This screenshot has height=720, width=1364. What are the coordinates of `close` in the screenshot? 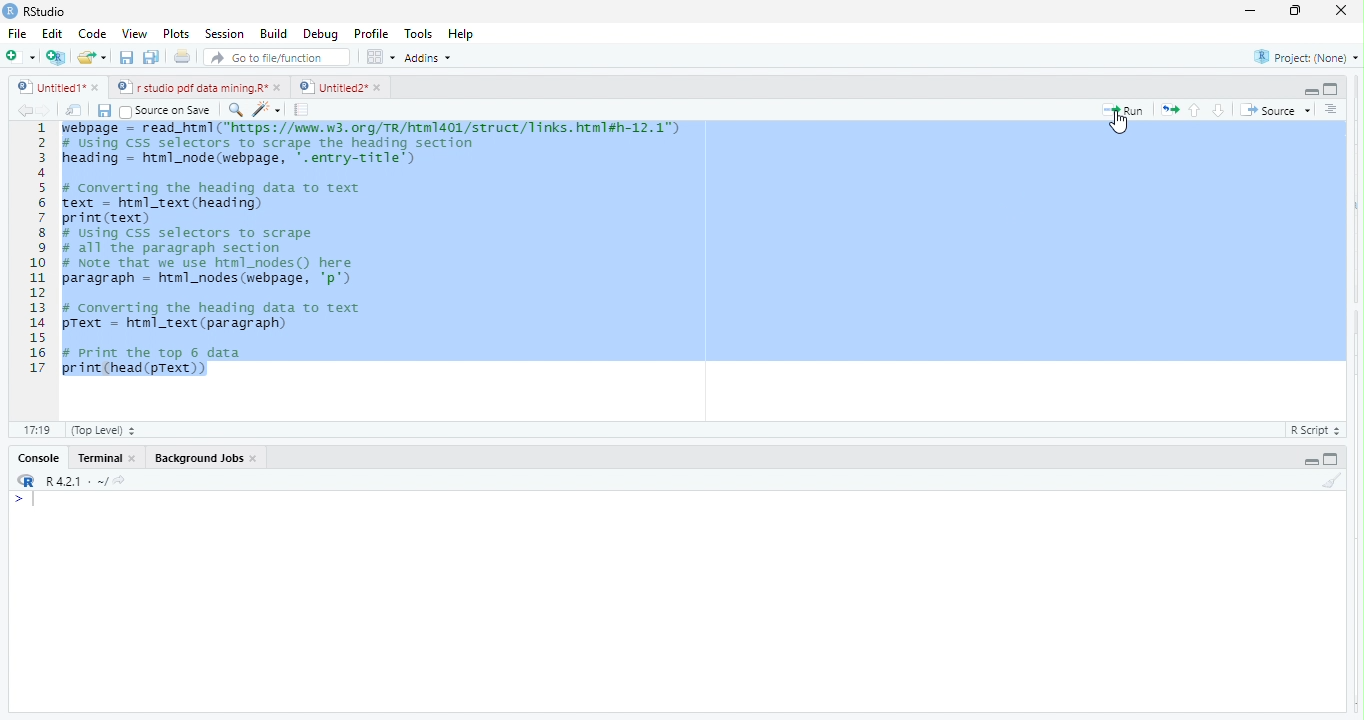 It's located at (255, 458).